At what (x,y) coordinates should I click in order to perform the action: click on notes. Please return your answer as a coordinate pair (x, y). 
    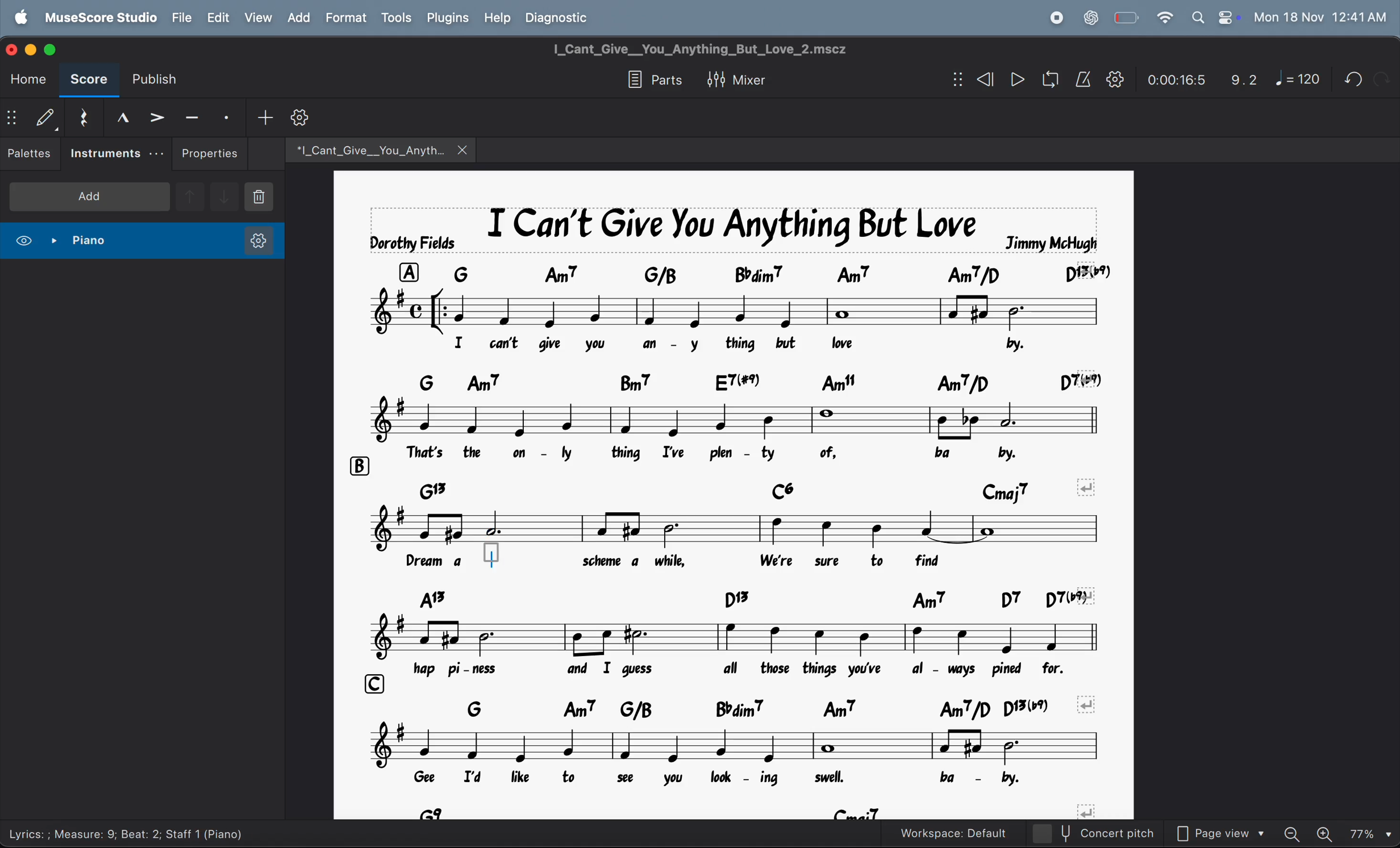
    Looking at the image, I should click on (739, 311).